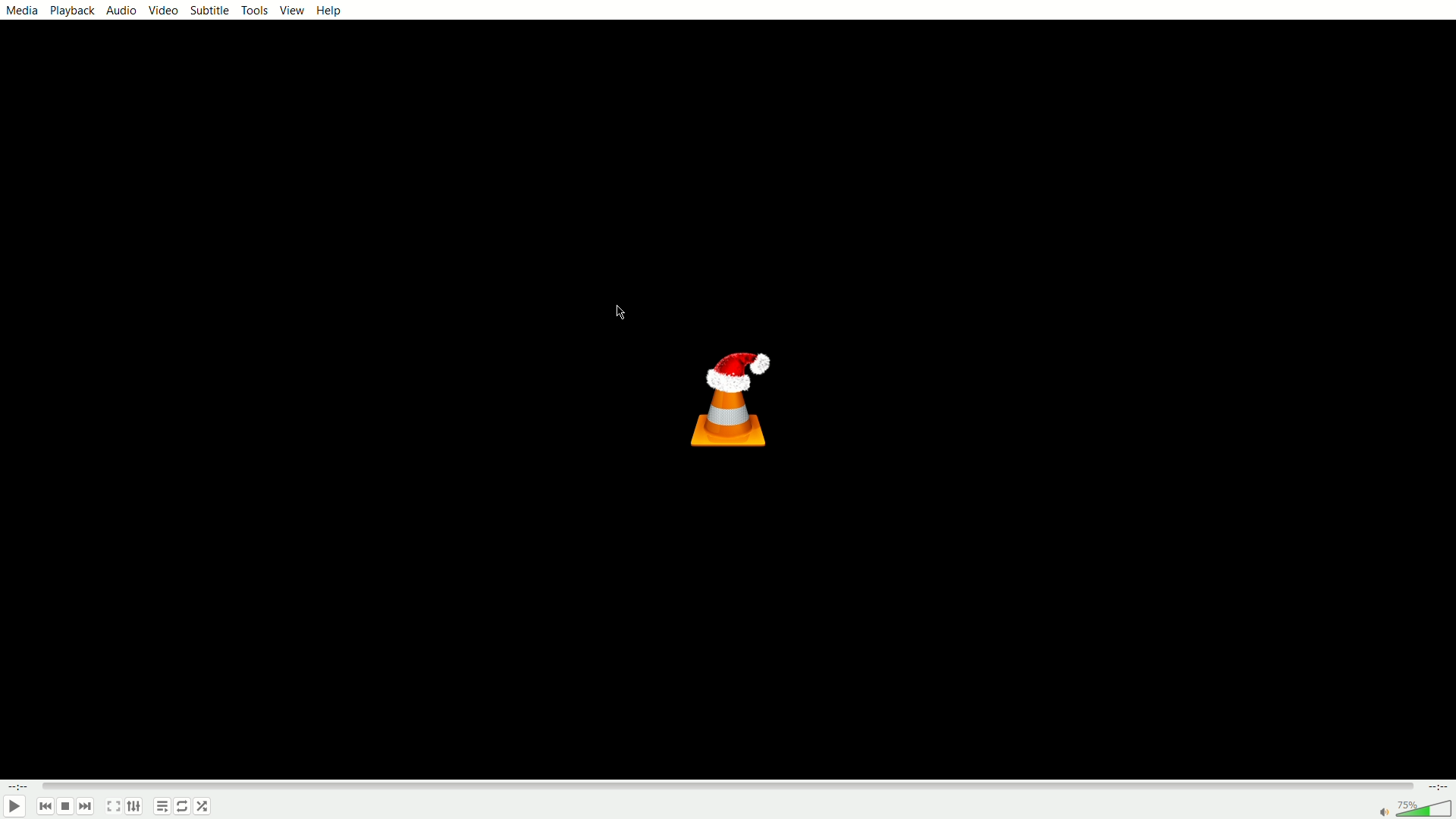 The image size is (1456, 819). What do you see at coordinates (203, 807) in the screenshot?
I see `shuffle` at bounding box center [203, 807].